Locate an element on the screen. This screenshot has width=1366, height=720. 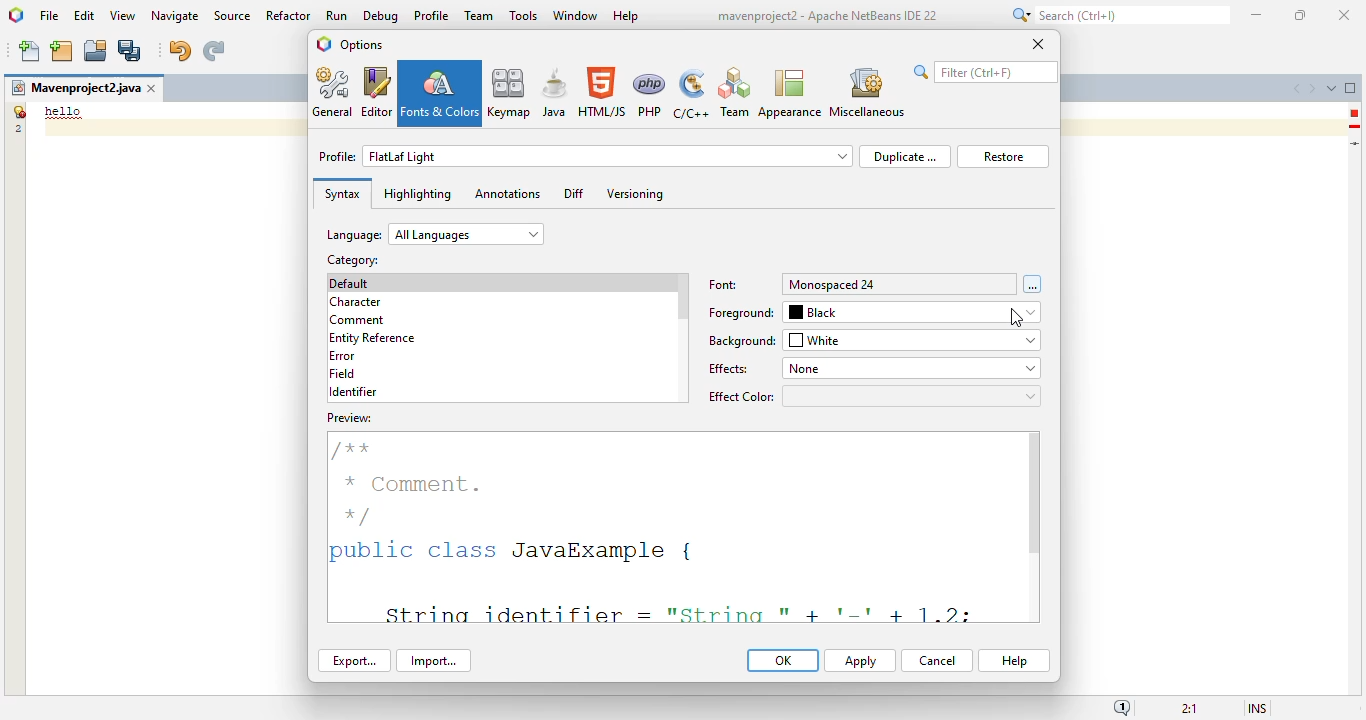
demo text is located at coordinates (64, 111).